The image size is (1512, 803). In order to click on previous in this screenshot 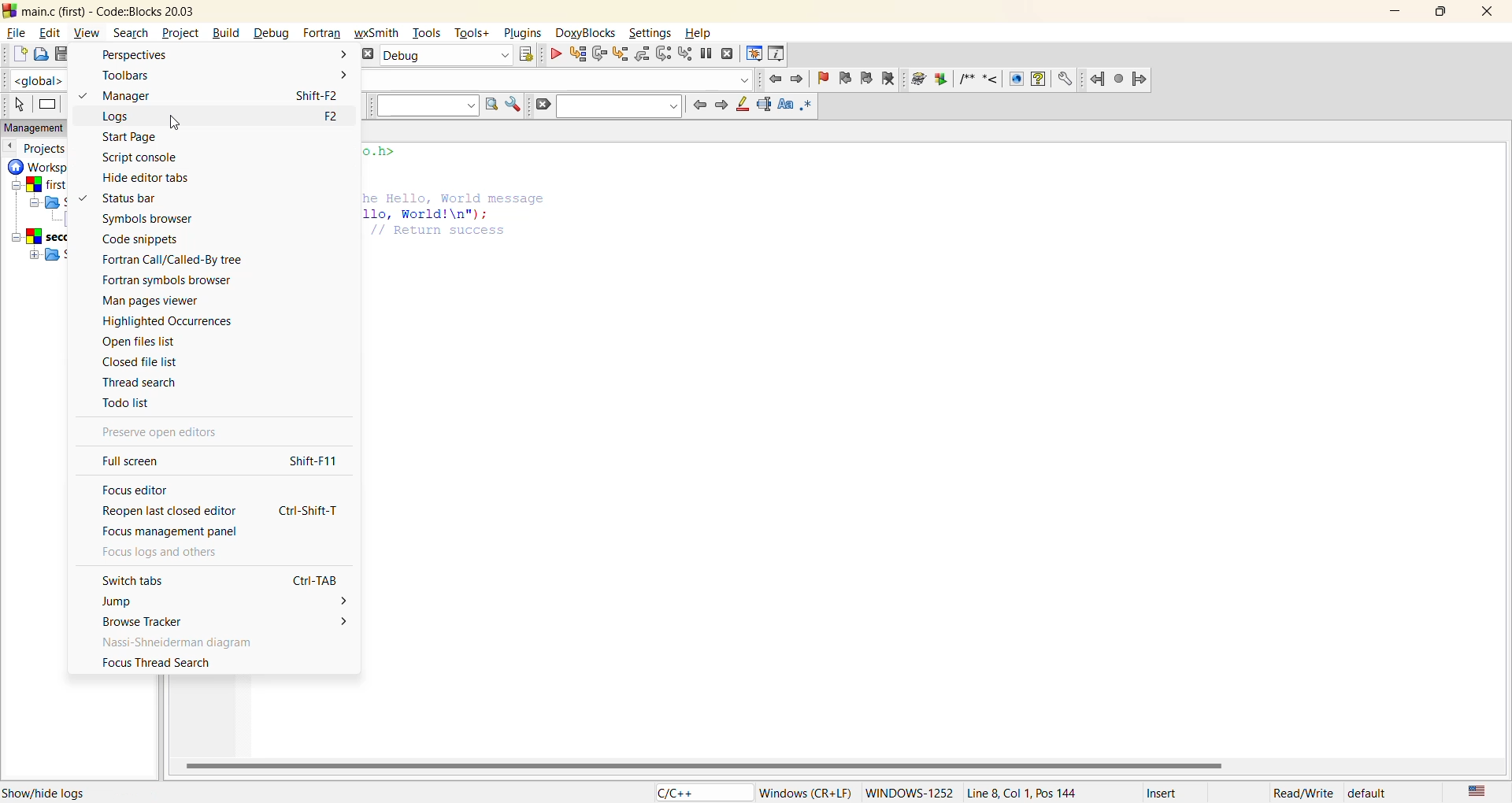, I will do `click(9, 146)`.